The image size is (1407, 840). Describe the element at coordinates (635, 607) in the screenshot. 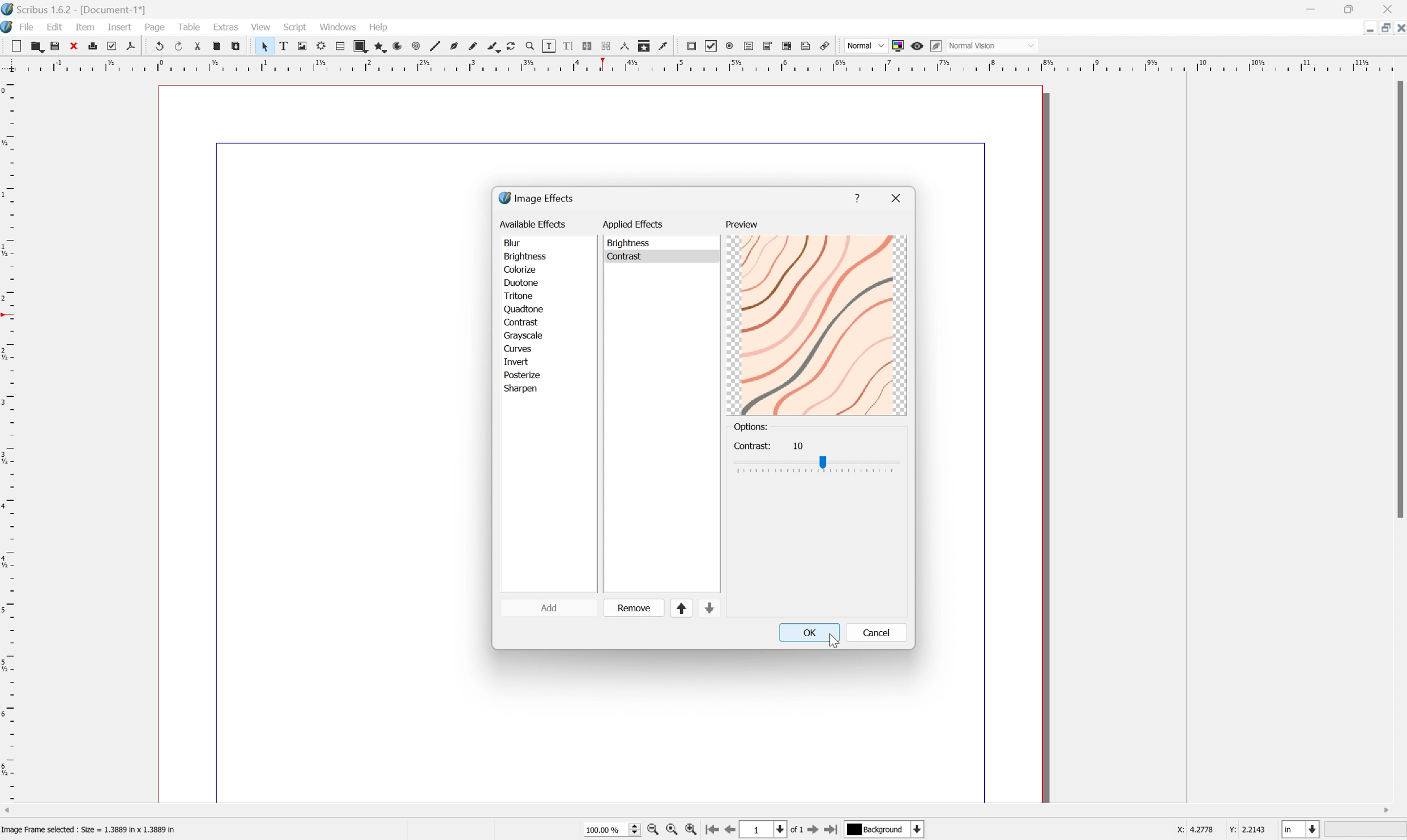

I see `remove` at that location.